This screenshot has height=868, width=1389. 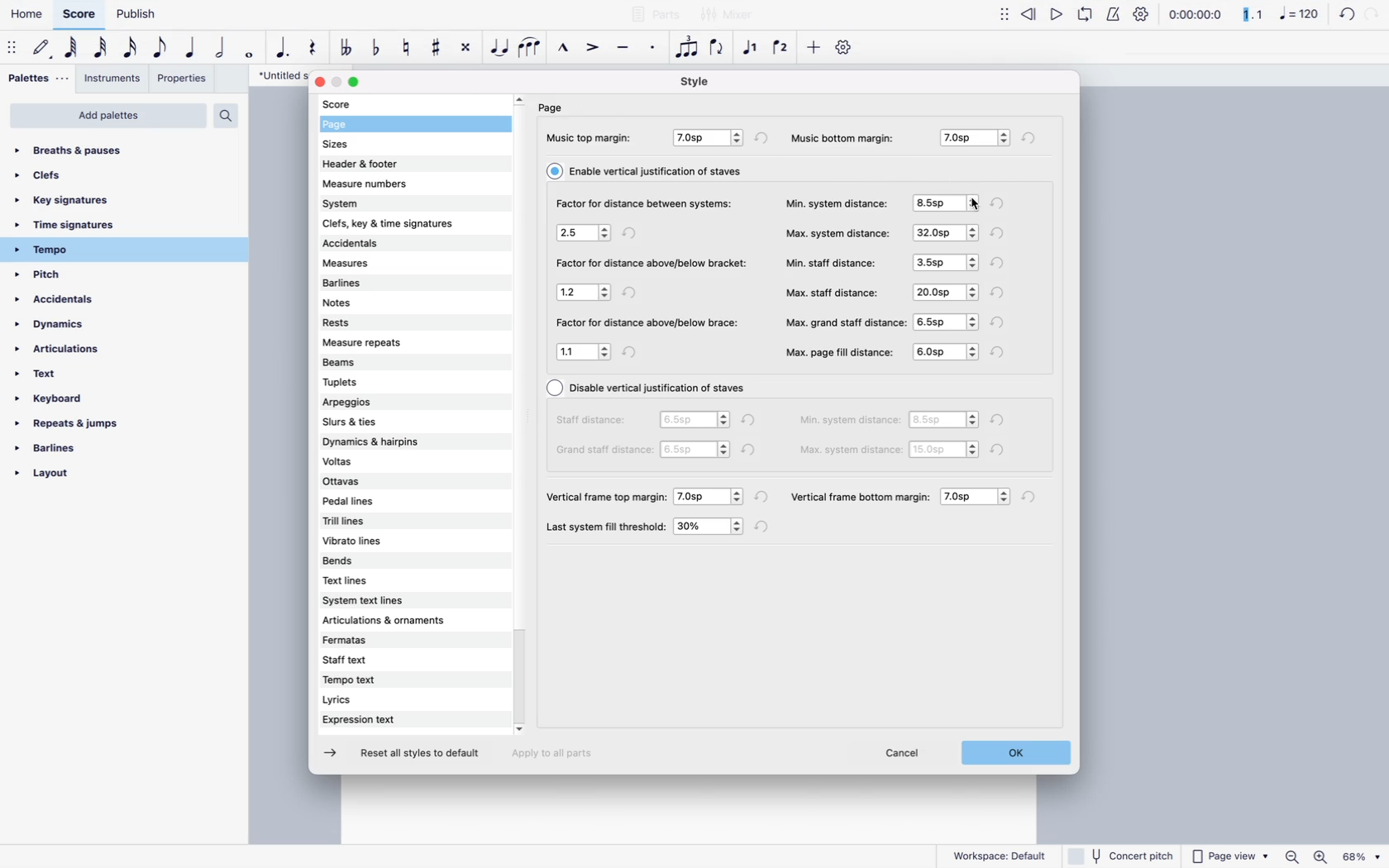 I want to click on refresh, so click(x=1001, y=322).